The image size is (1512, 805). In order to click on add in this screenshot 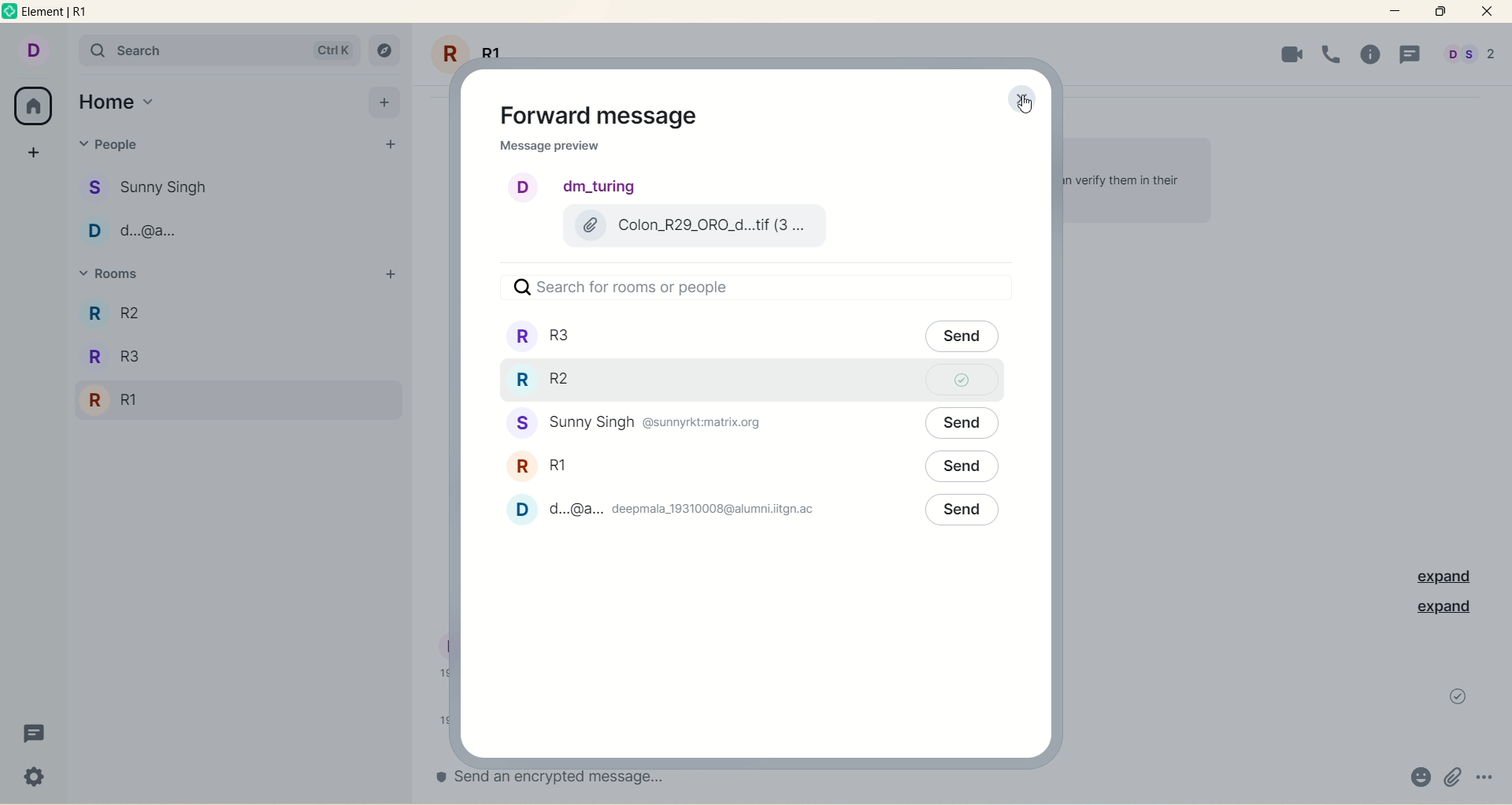, I will do `click(384, 101)`.